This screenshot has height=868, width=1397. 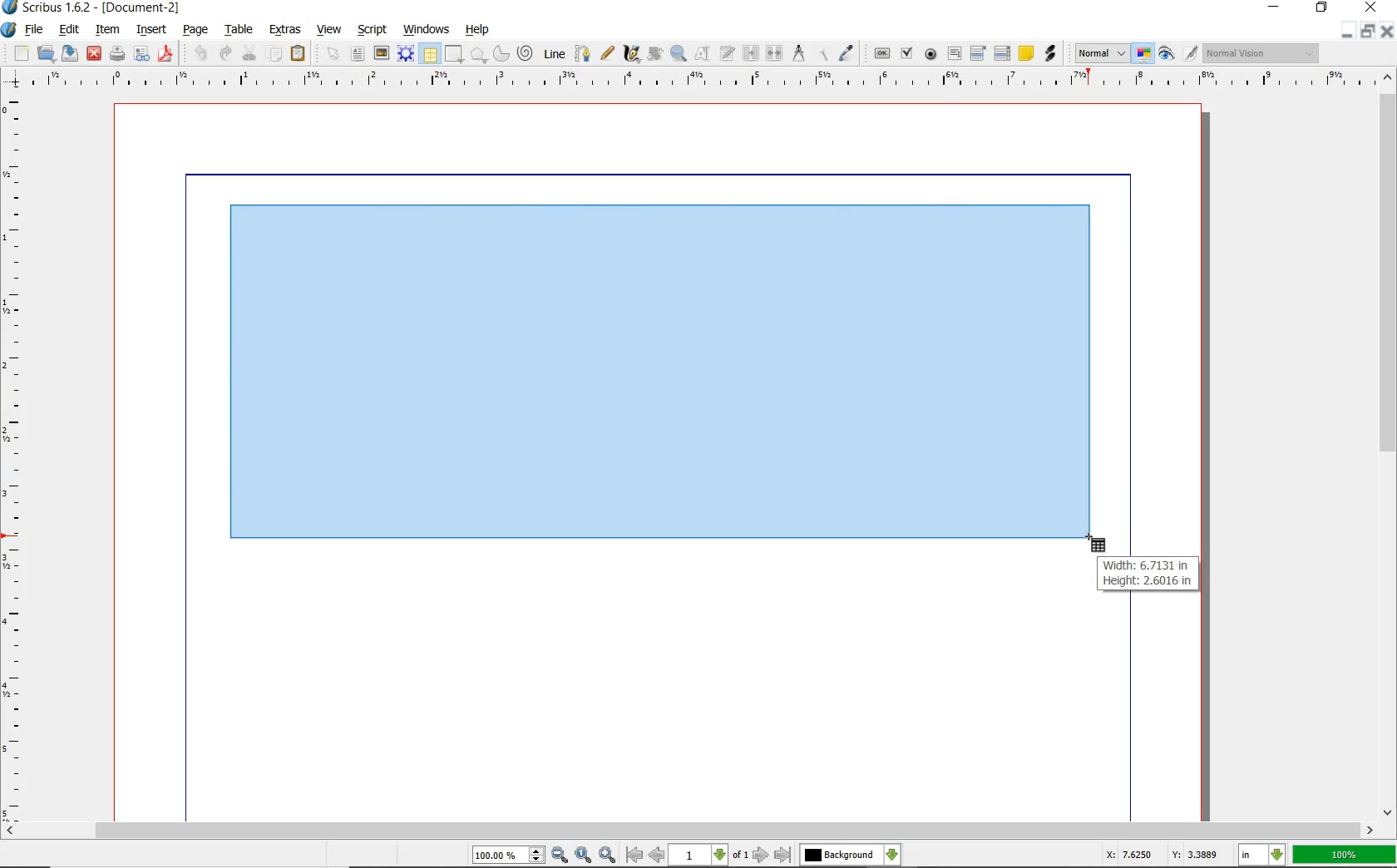 I want to click on save, so click(x=69, y=55).